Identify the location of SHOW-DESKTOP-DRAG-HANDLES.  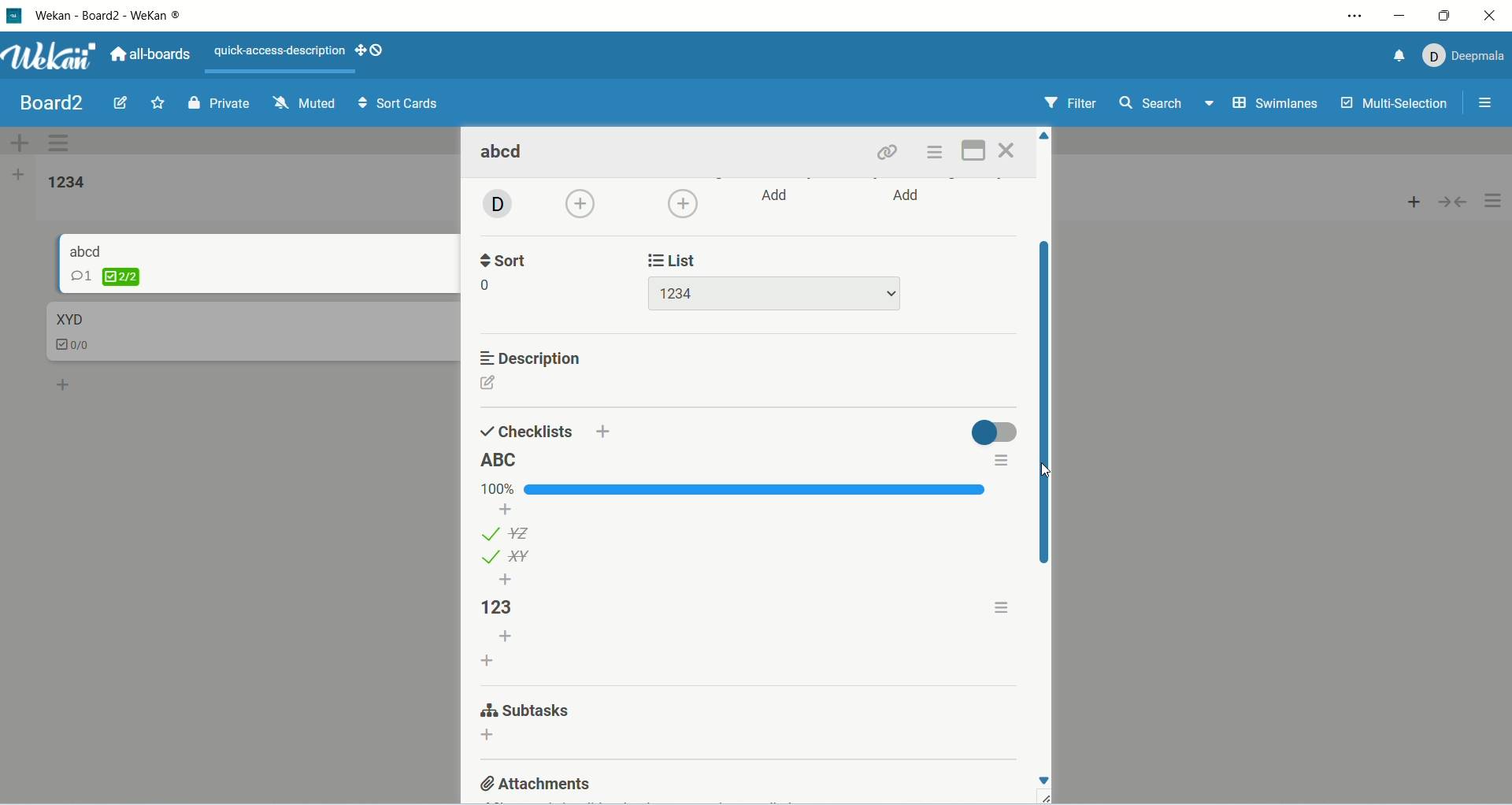
(369, 50).